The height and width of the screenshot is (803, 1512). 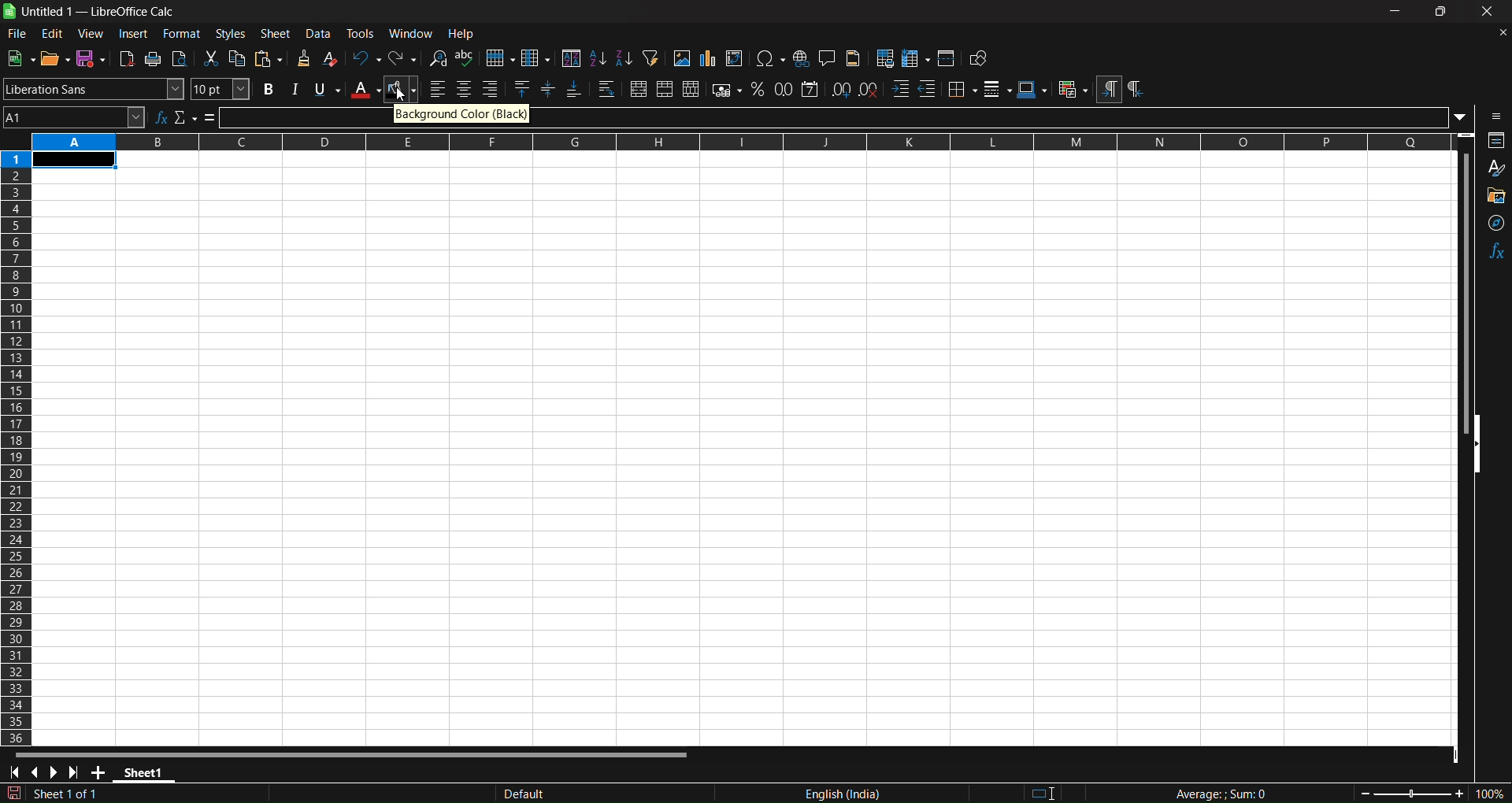 I want to click on logo, so click(x=9, y=11).